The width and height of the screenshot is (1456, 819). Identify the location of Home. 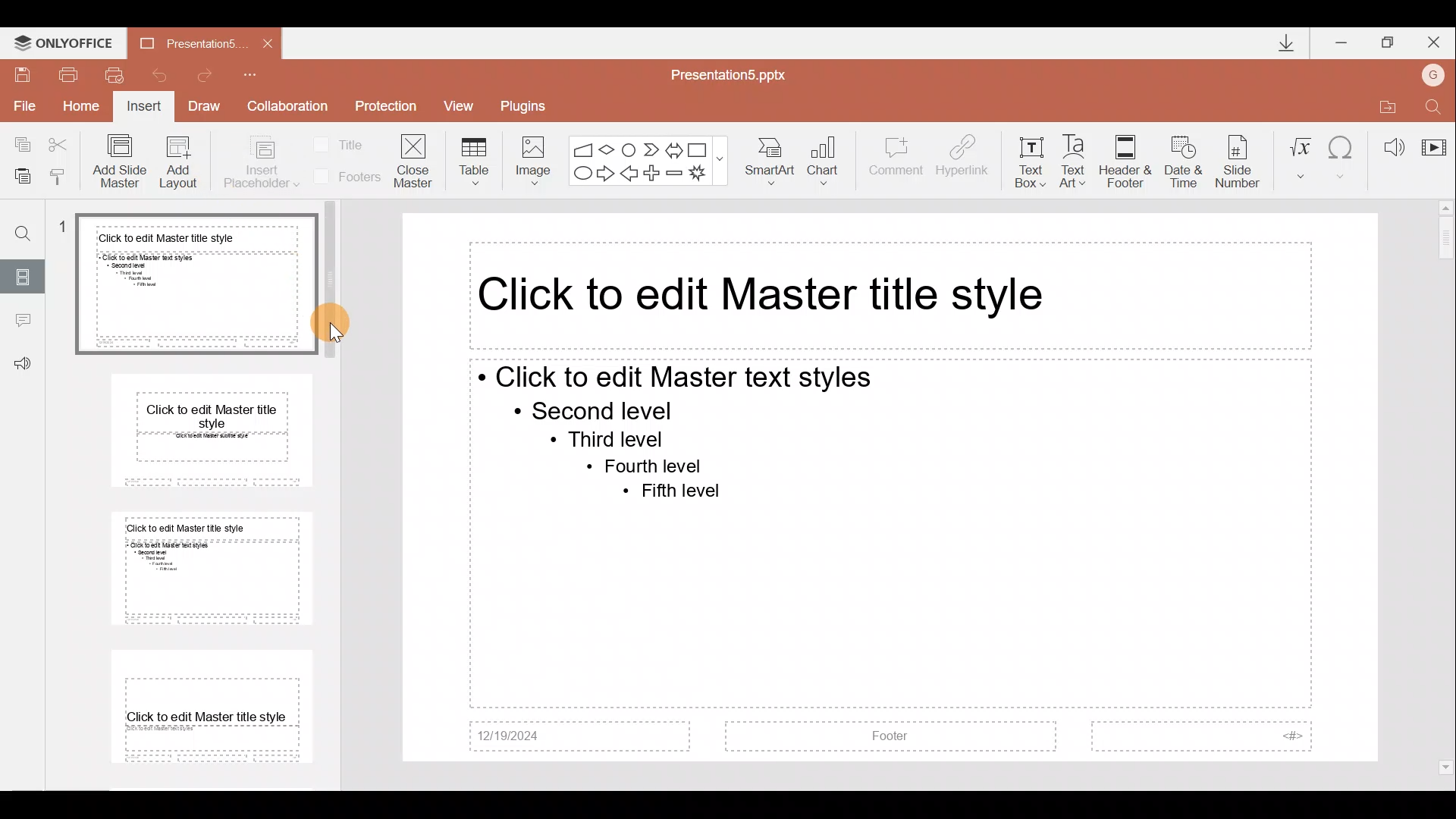
(83, 110).